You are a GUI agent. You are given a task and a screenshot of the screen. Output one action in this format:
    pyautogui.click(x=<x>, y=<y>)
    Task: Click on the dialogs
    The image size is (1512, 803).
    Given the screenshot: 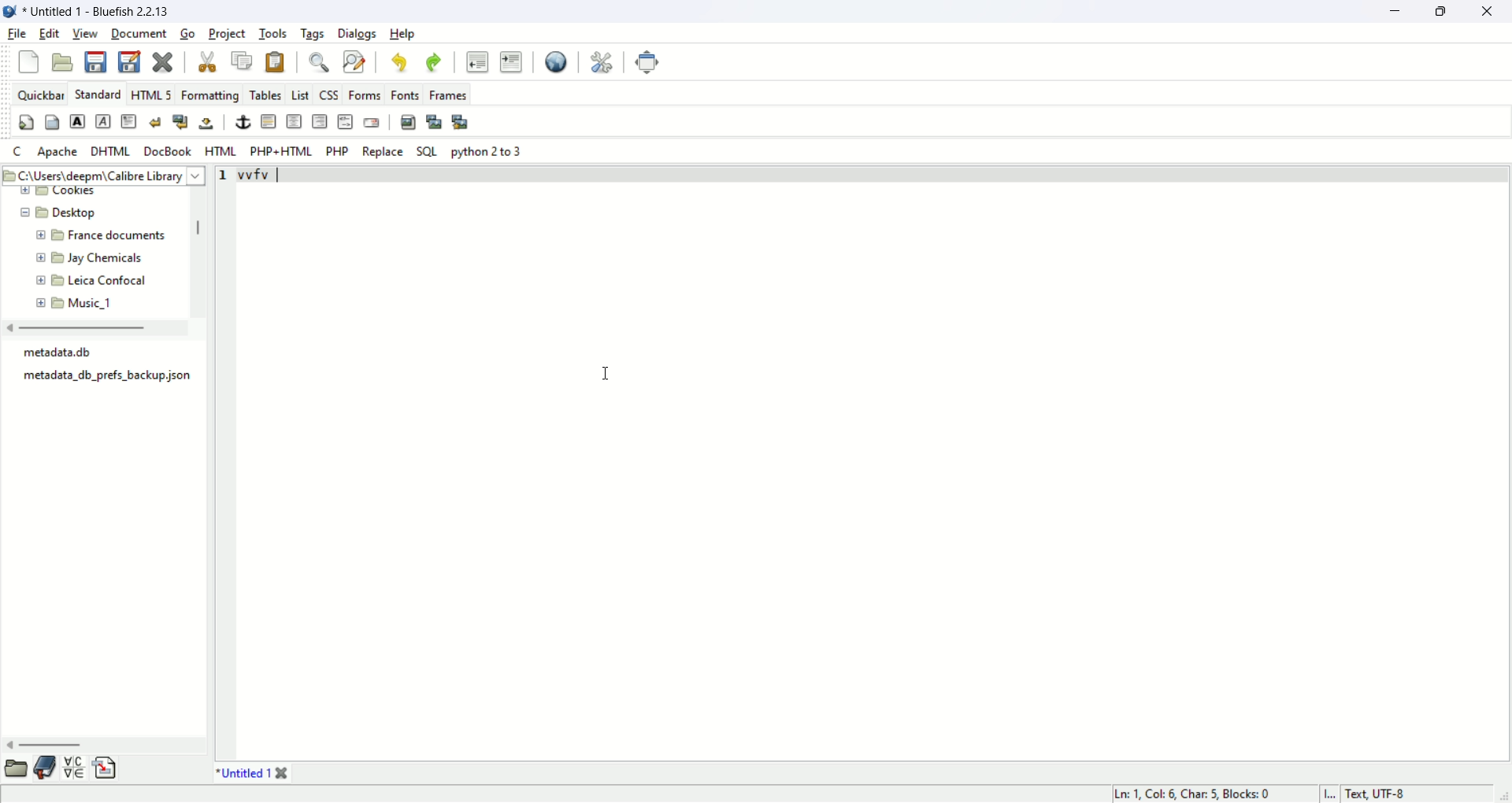 What is the action you would take?
    pyautogui.click(x=362, y=35)
    